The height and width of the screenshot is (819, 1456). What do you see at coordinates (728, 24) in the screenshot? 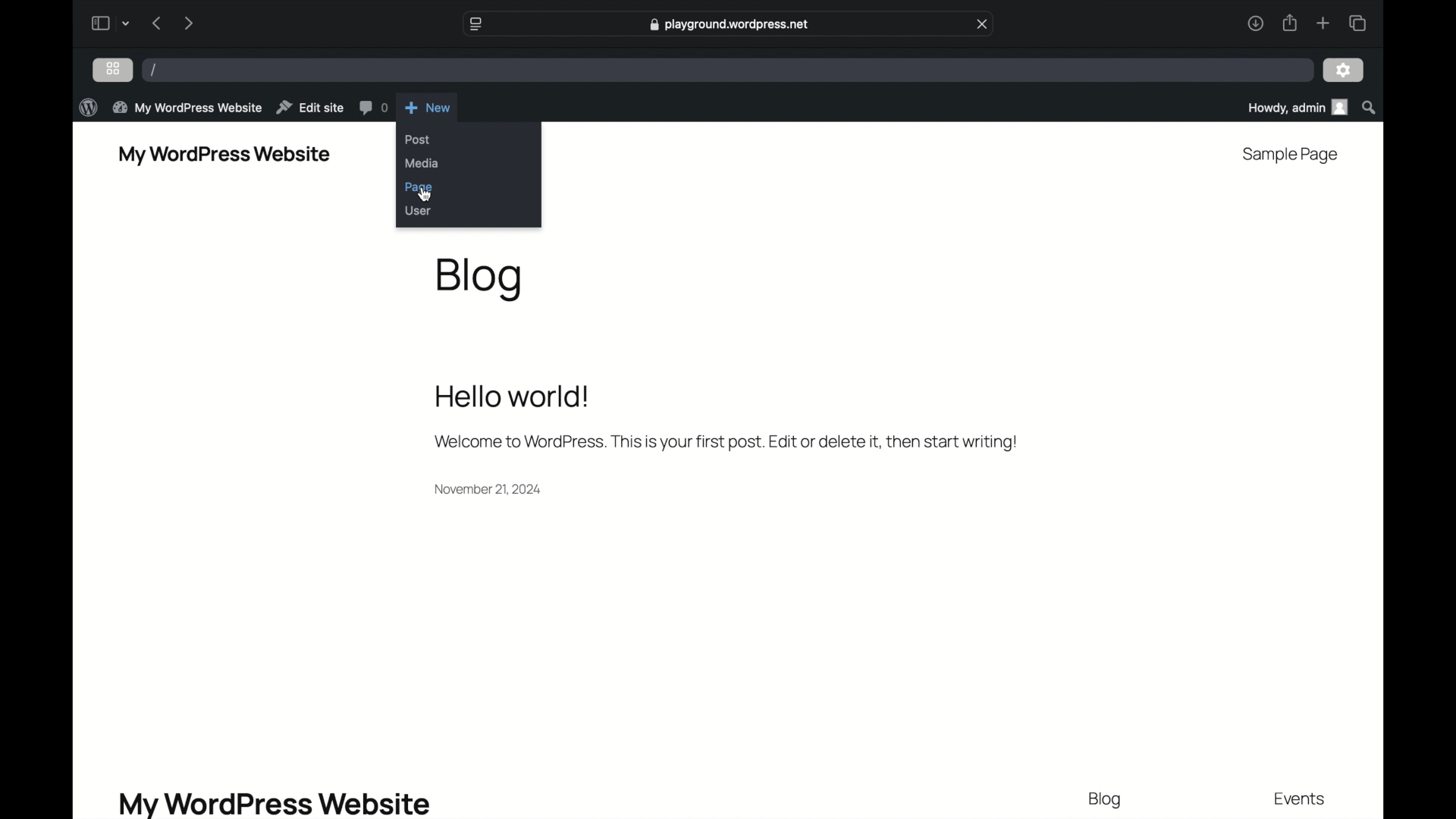
I see `web address` at bounding box center [728, 24].